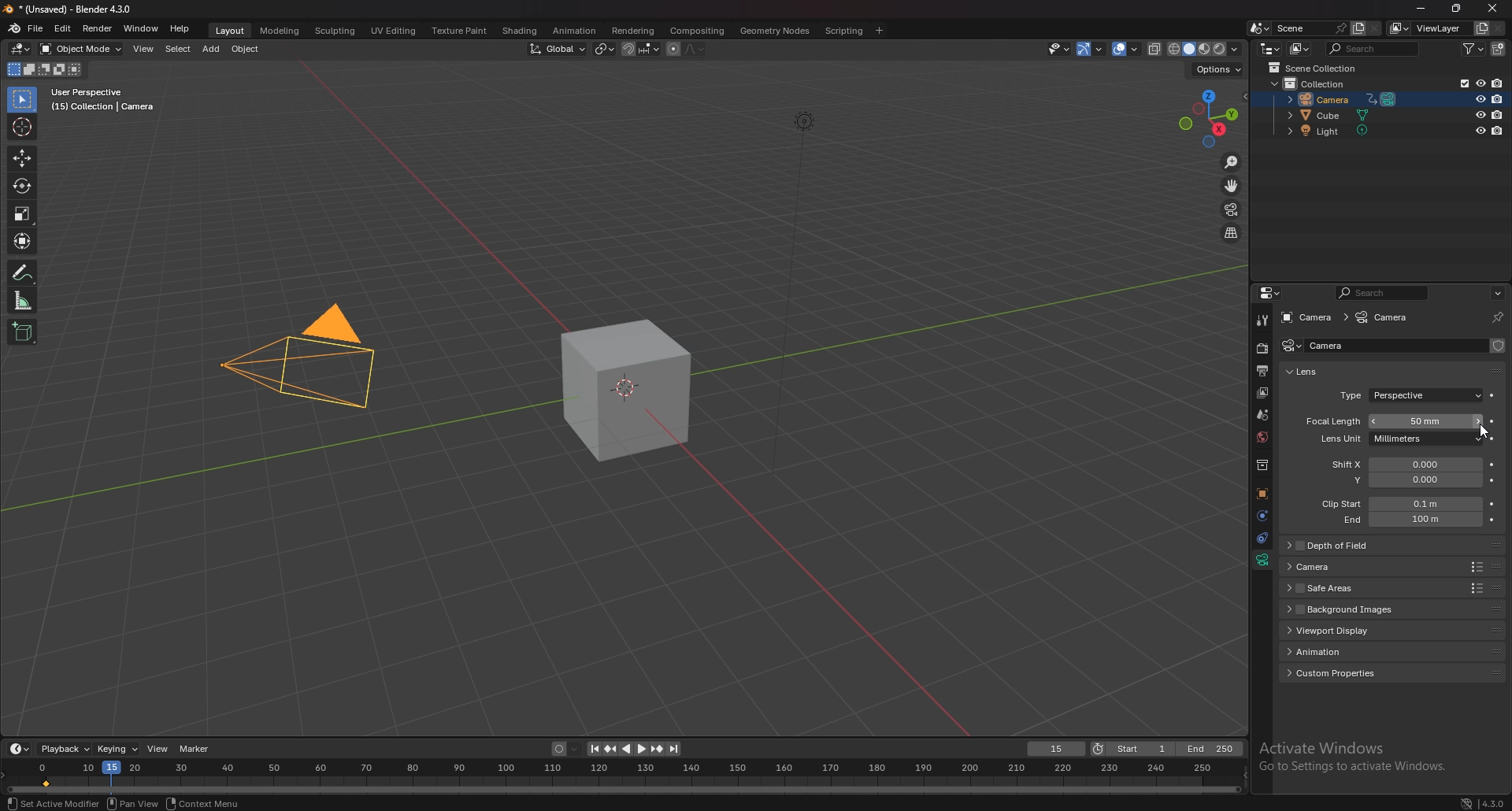 The height and width of the screenshot is (811, 1512). I want to click on scripting, so click(843, 31).